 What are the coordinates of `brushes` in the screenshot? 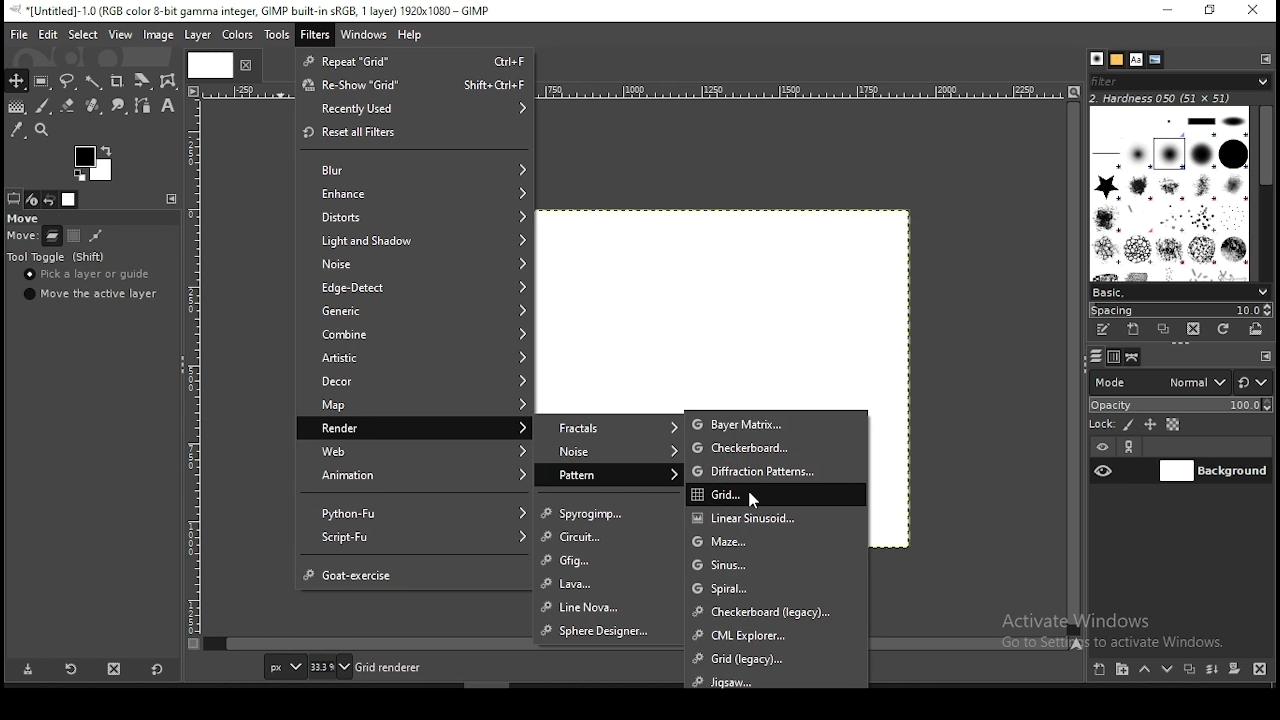 It's located at (1097, 58).